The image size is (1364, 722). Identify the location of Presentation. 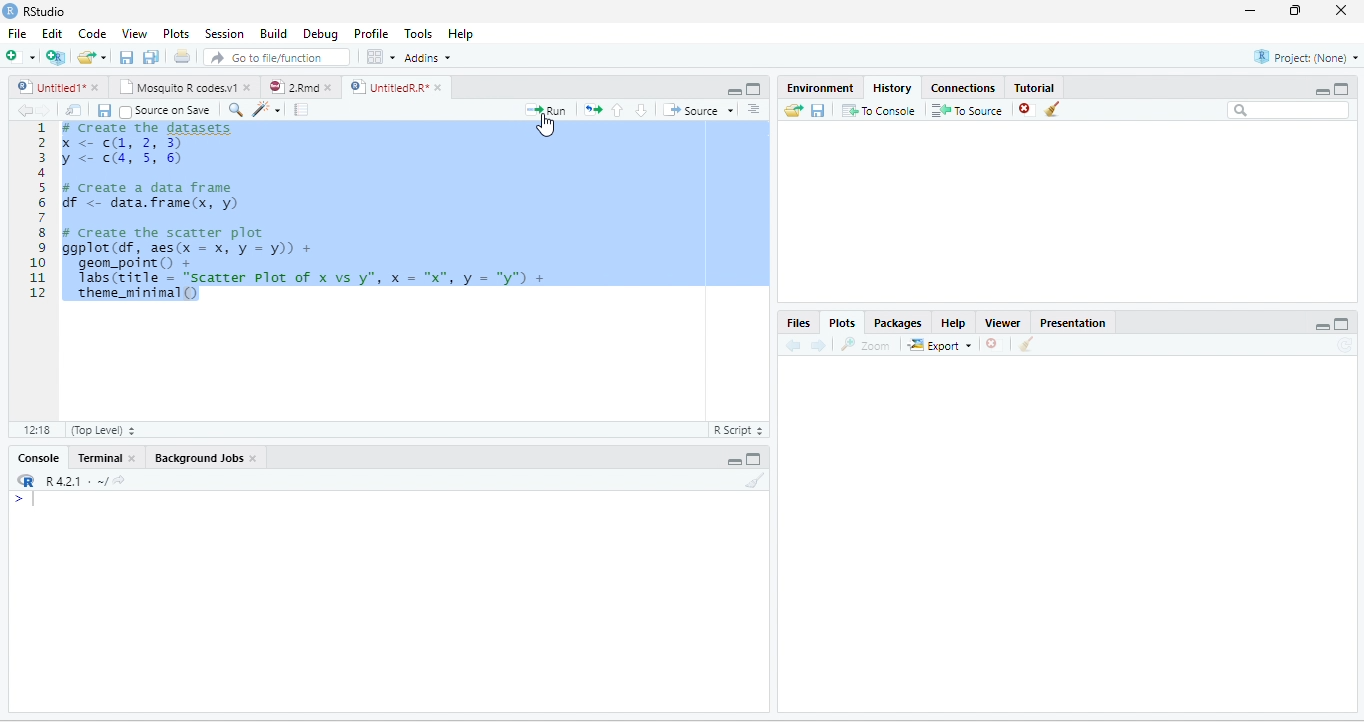
(1073, 322).